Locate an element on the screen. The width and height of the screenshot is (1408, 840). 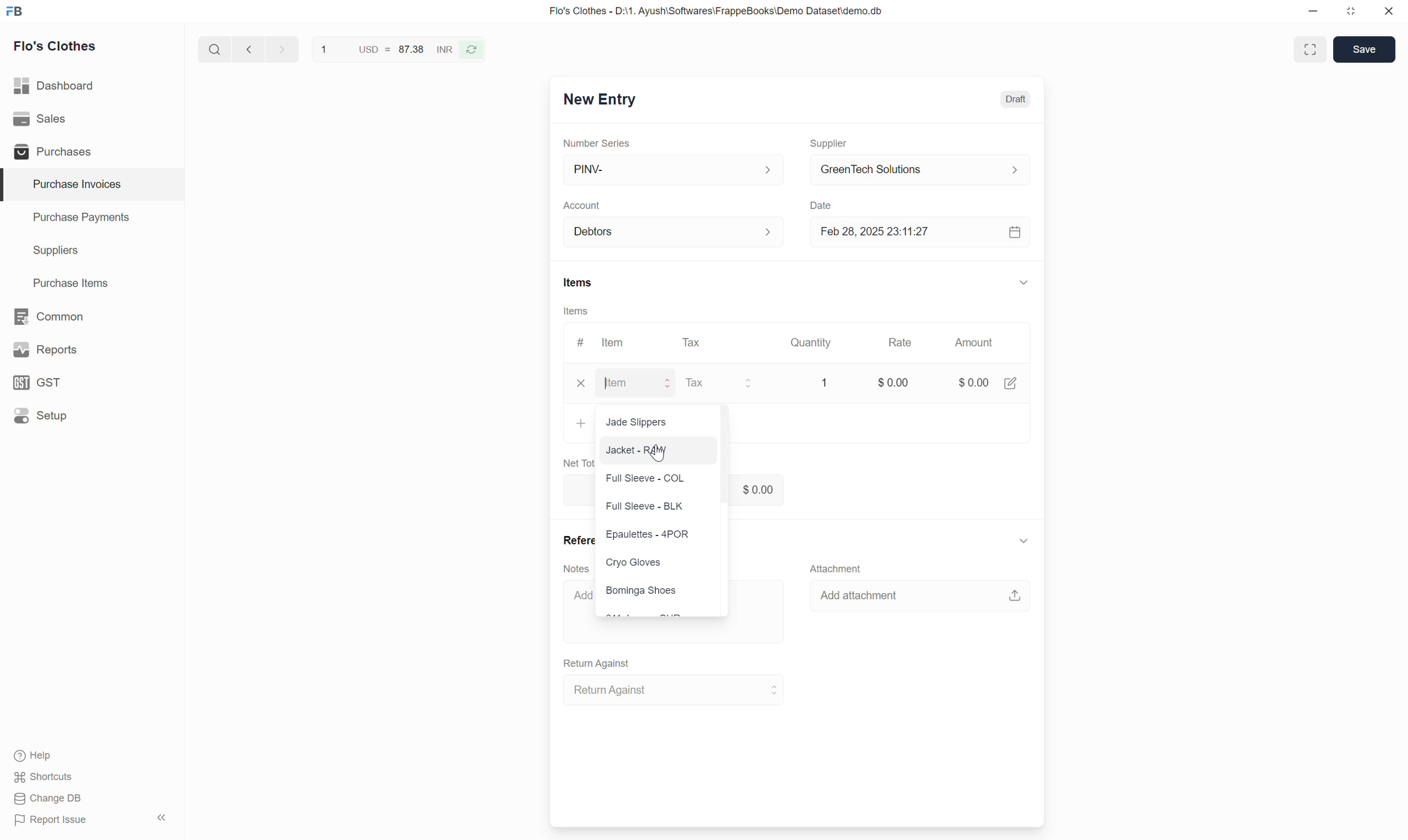
Reverse is located at coordinates (470, 50).